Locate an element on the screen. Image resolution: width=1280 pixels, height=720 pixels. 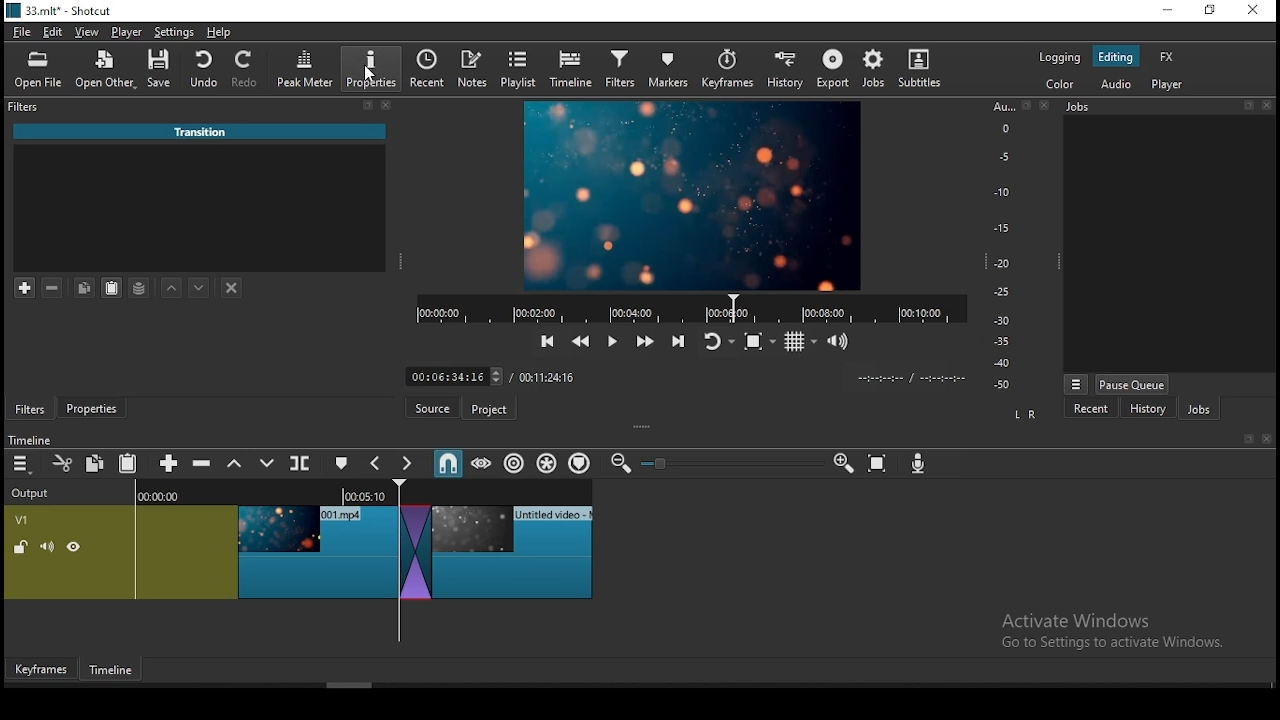
filters is located at coordinates (619, 70).